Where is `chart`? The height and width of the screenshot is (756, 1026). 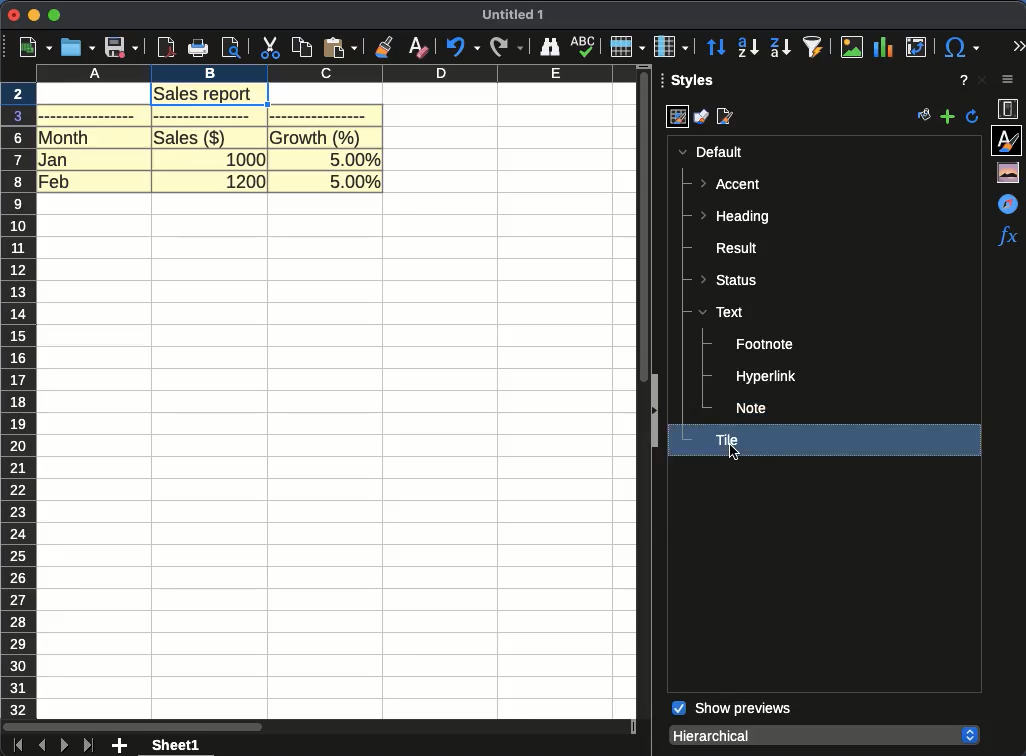 chart is located at coordinates (885, 48).